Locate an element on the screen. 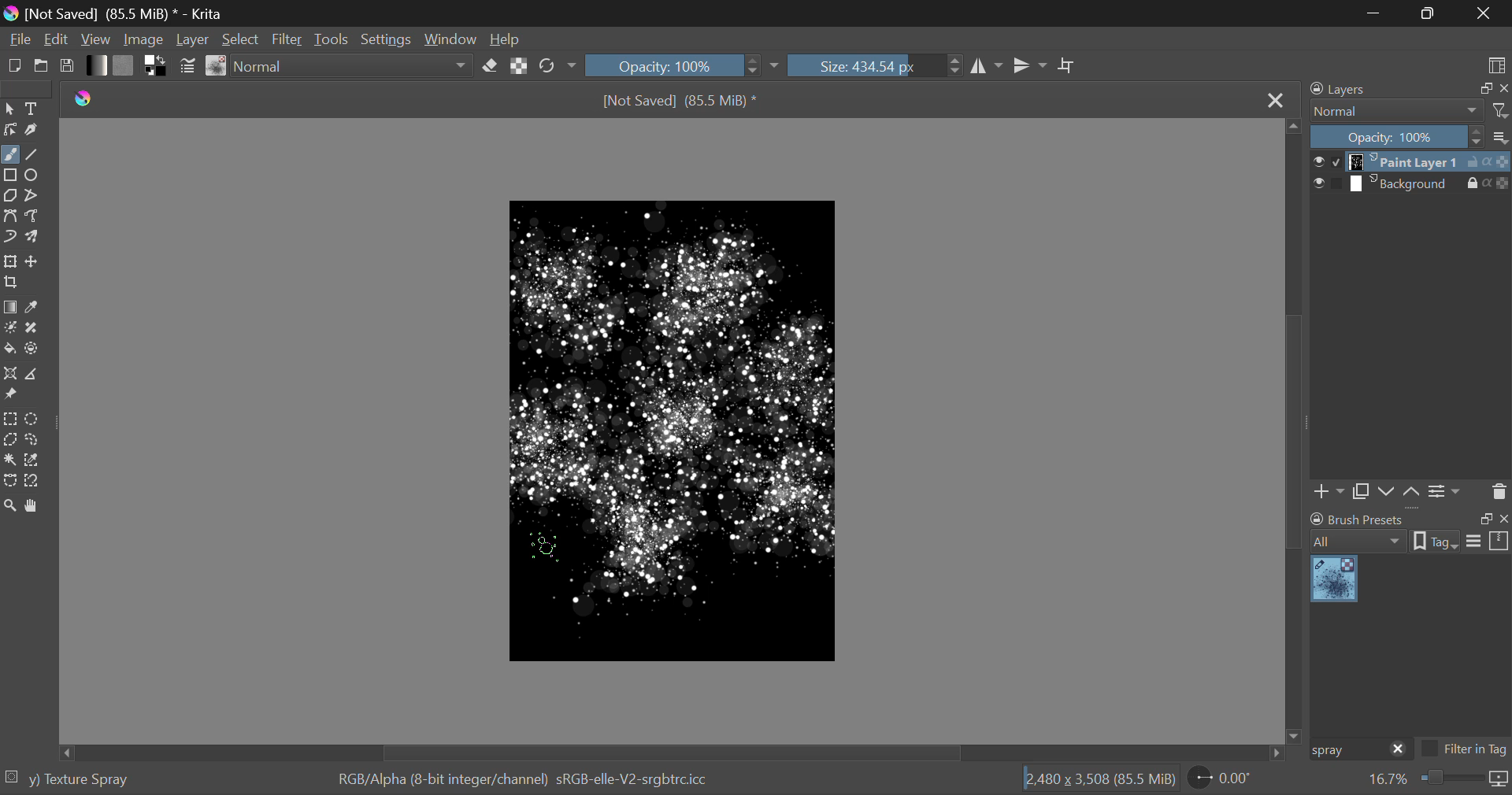 The height and width of the screenshot is (795, 1512). Layer Movement up is located at coordinates (1412, 494).